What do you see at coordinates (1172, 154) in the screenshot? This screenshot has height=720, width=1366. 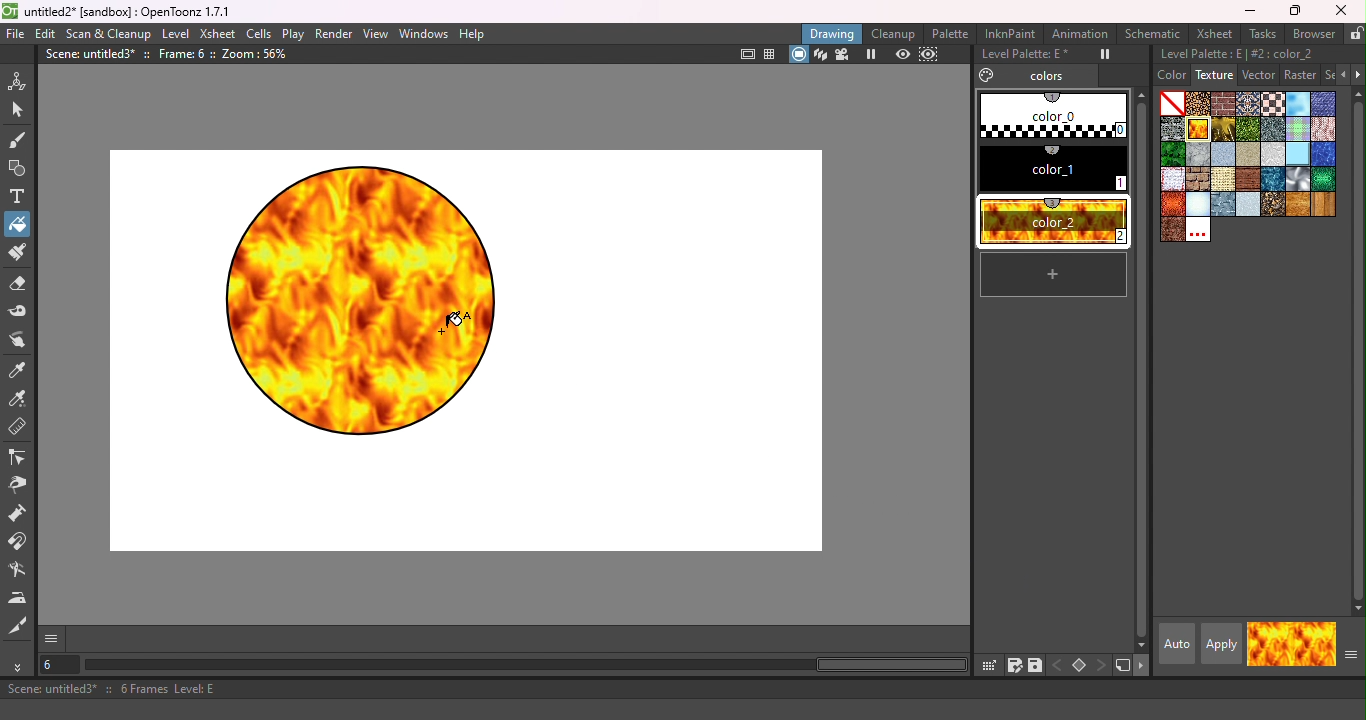 I see `leaves.bmp` at bounding box center [1172, 154].